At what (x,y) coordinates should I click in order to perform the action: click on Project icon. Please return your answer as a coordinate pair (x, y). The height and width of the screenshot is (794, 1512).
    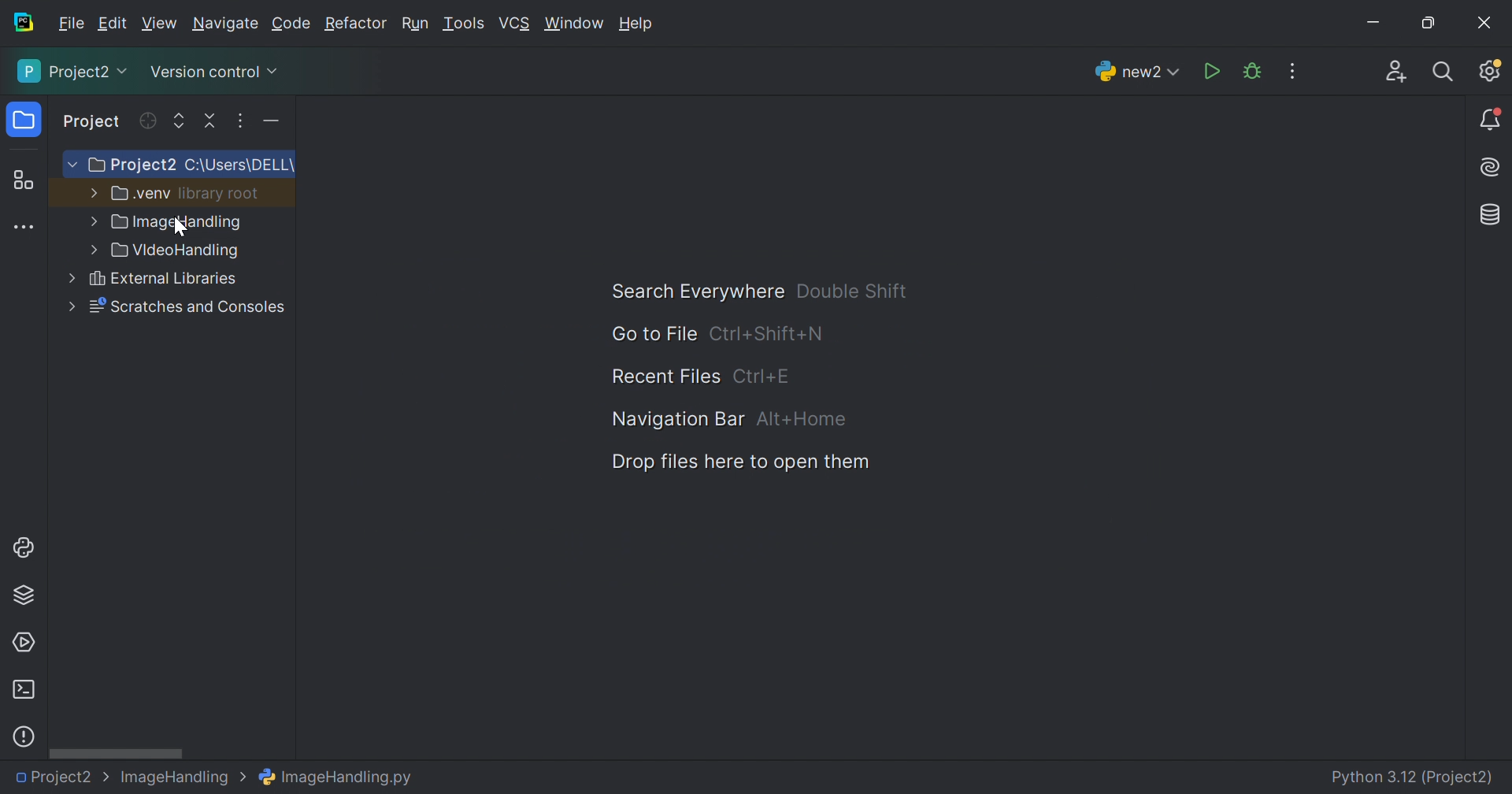
    Looking at the image, I should click on (26, 121).